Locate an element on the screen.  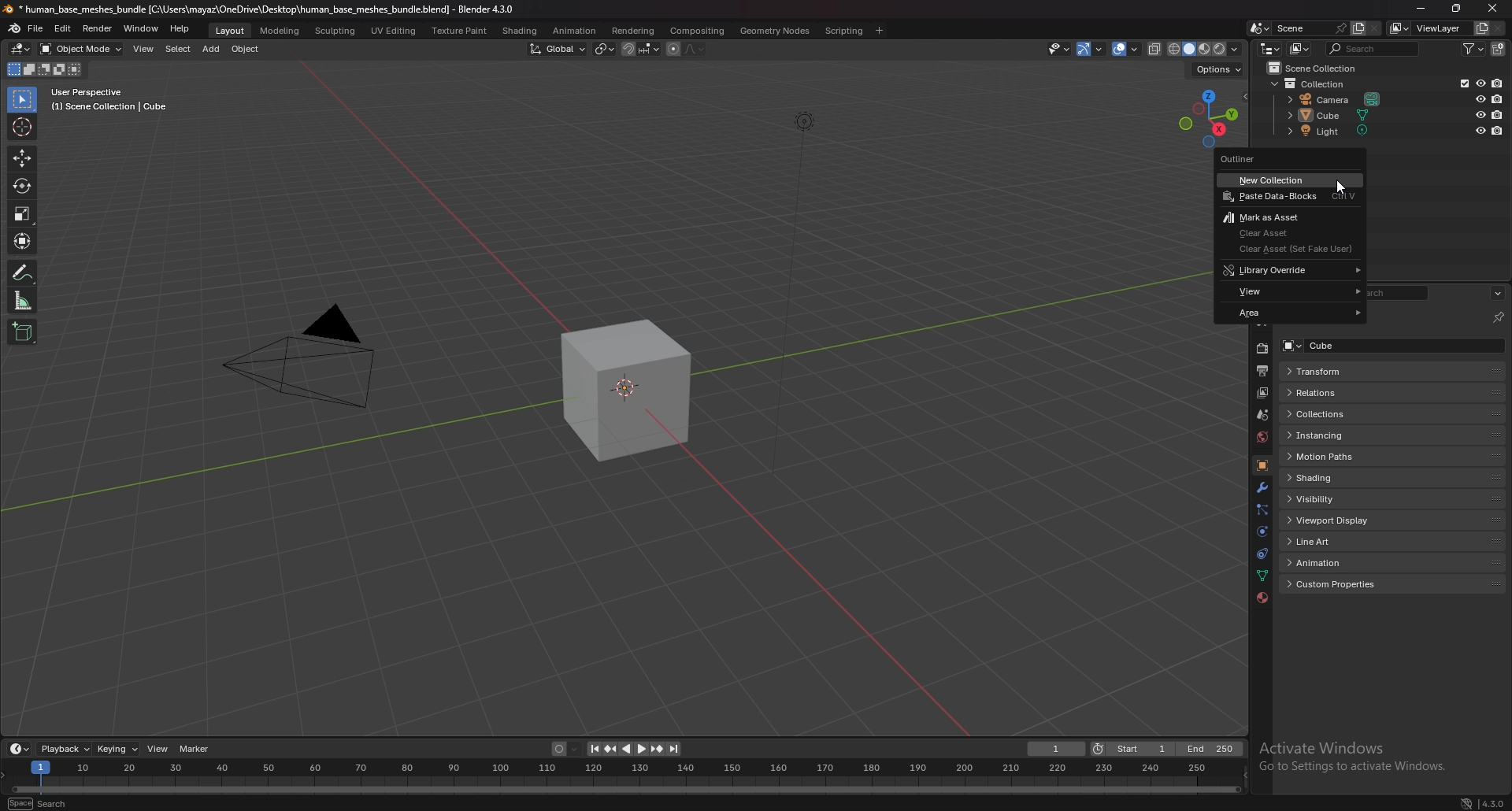
compositing is located at coordinates (697, 31).